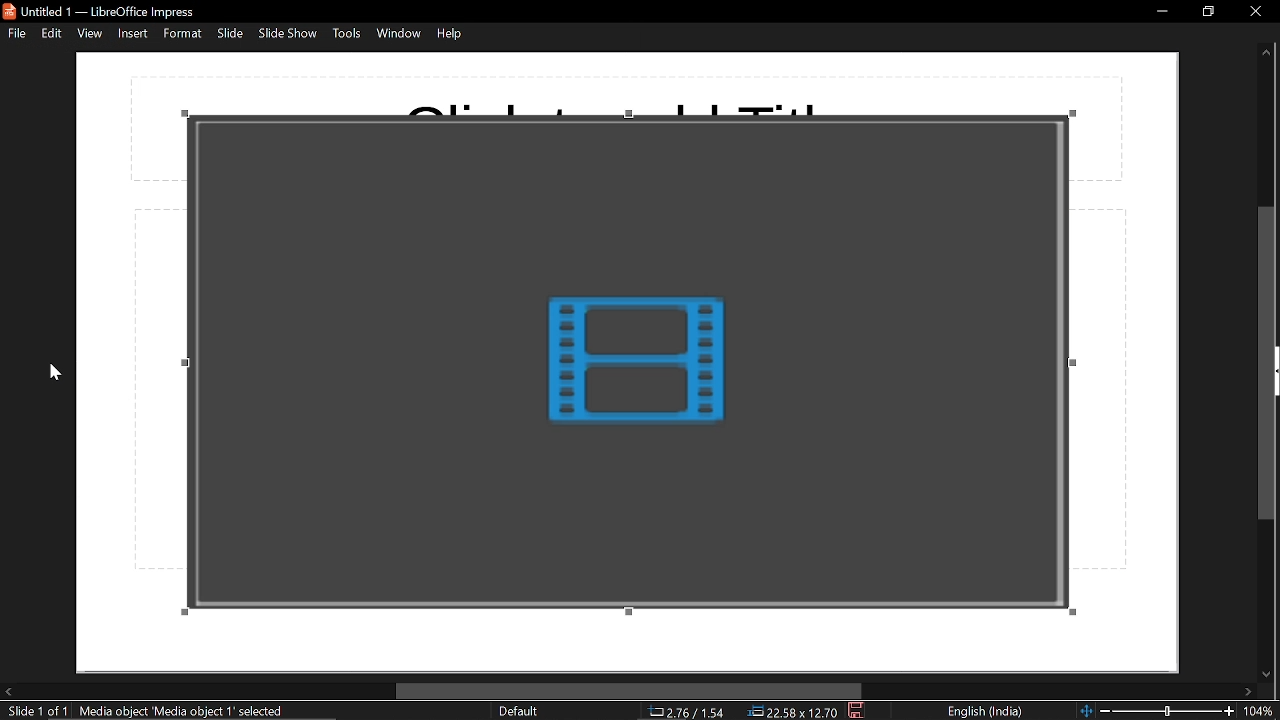 The width and height of the screenshot is (1280, 720). I want to click on horizontal scrollbar, so click(628, 691).